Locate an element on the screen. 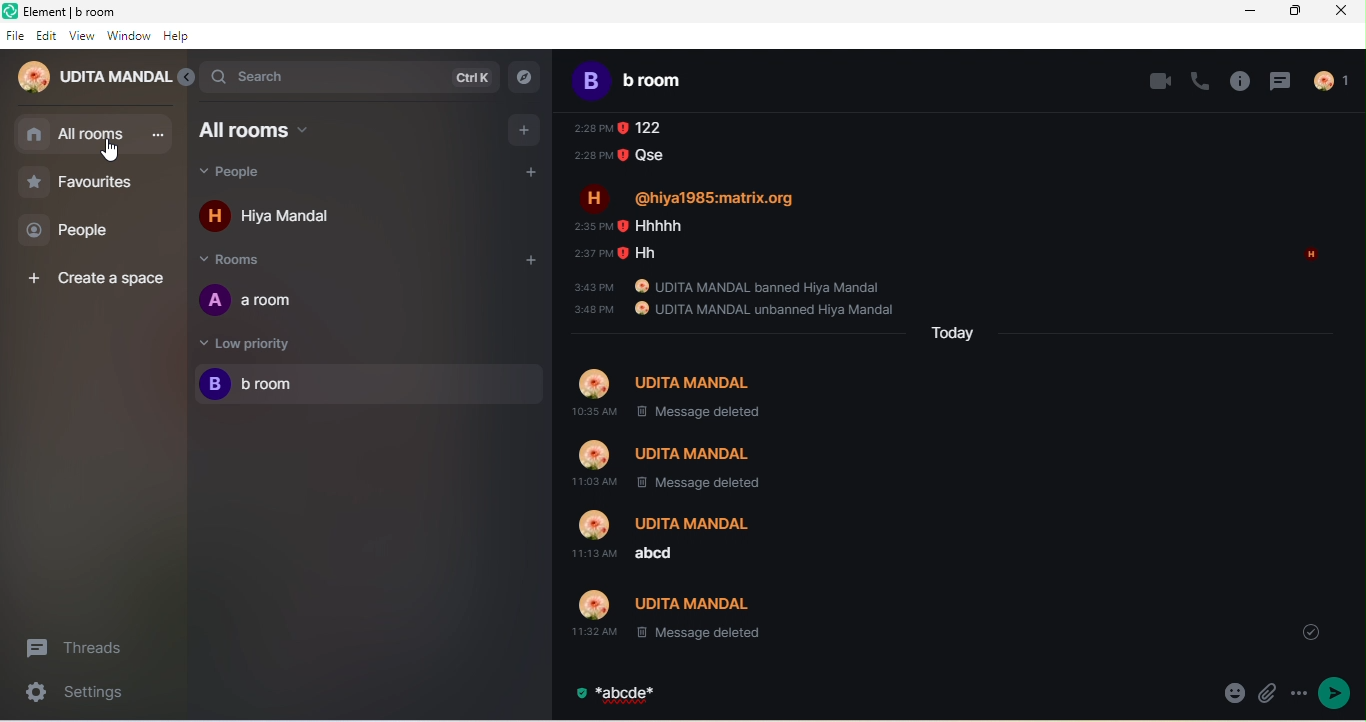 The height and width of the screenshot is (722, 1366). drop down is located at coordinates (1310, 628).